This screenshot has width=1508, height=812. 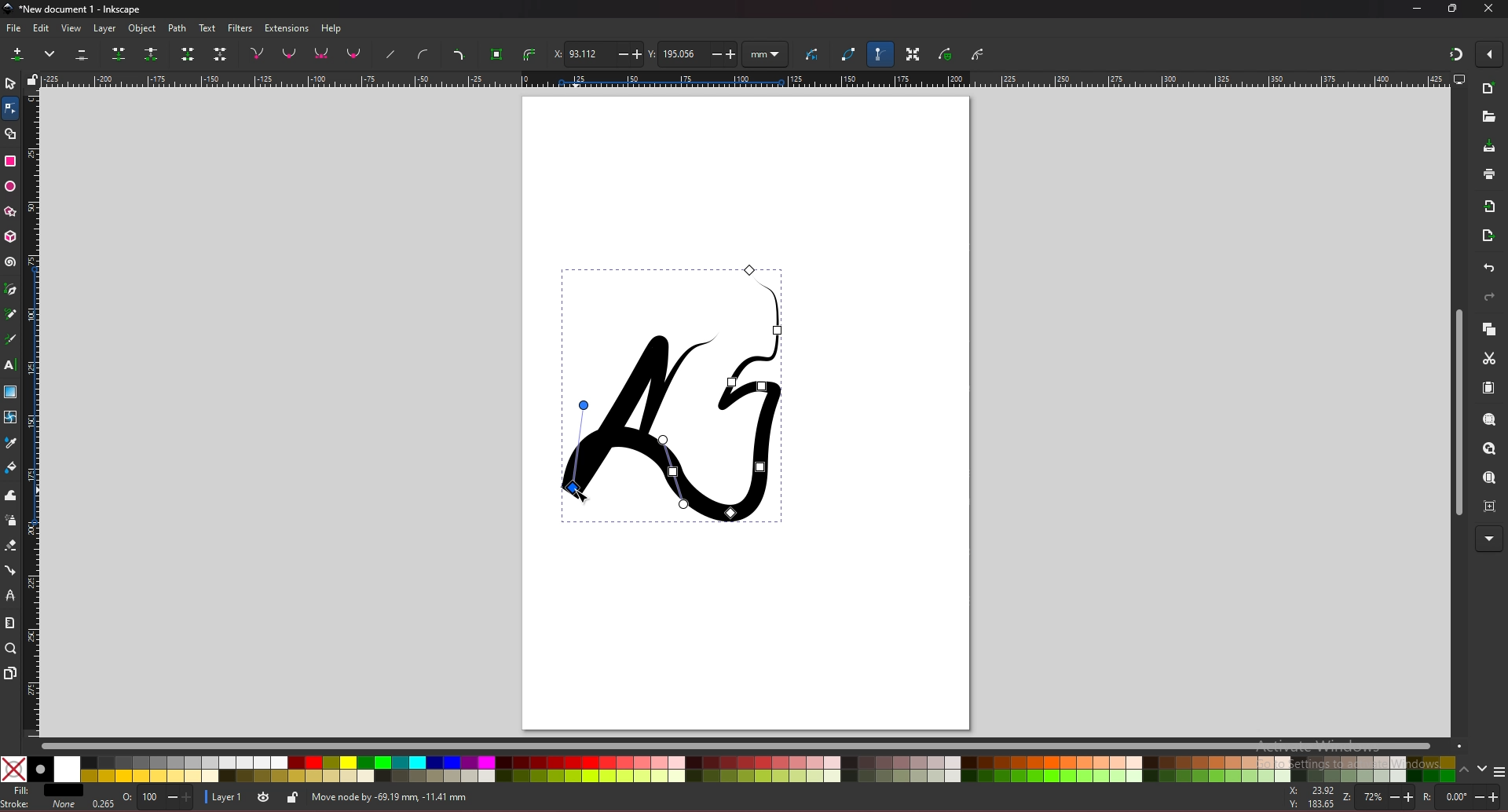 What do you see at coordinates (289, 53) in the screenshot?
I see `smooth node` at bounding box center [289, 53].